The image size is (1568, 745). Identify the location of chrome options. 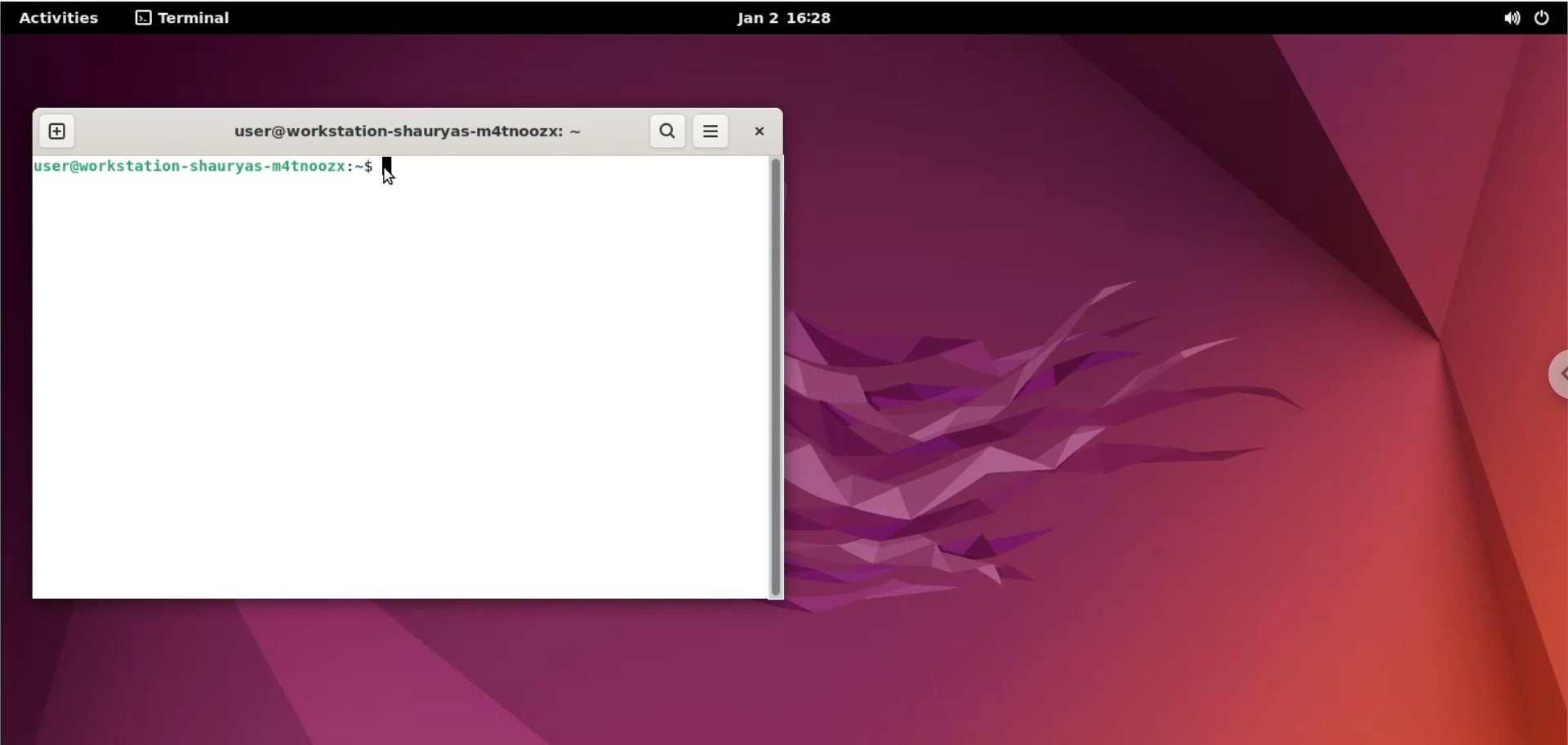
(1549, 383).